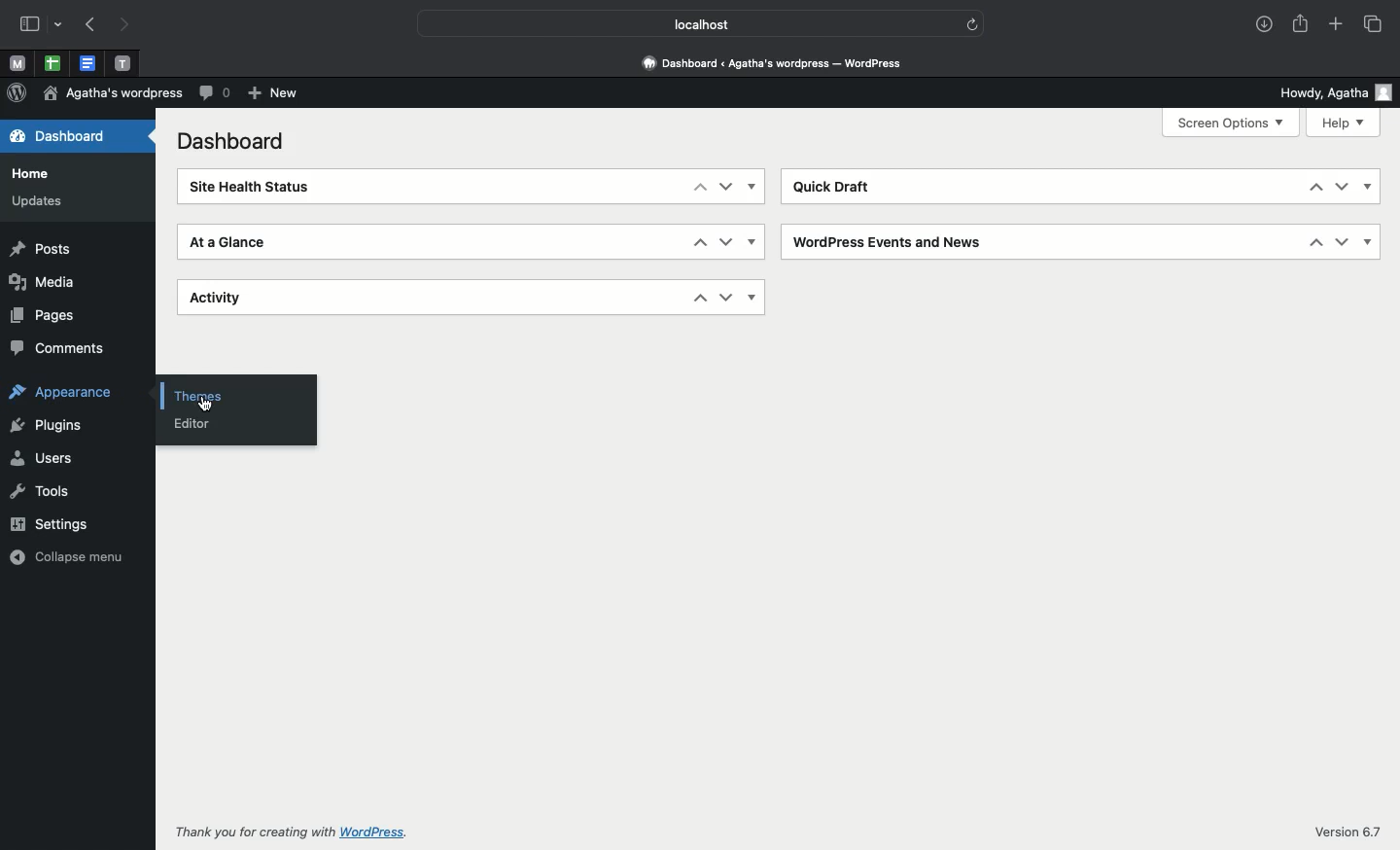 The image size is (1400, 850). What do you see at coordinates (1317, 241) in the screenshot?
I see `Up` at bounding box center [1317, 241].